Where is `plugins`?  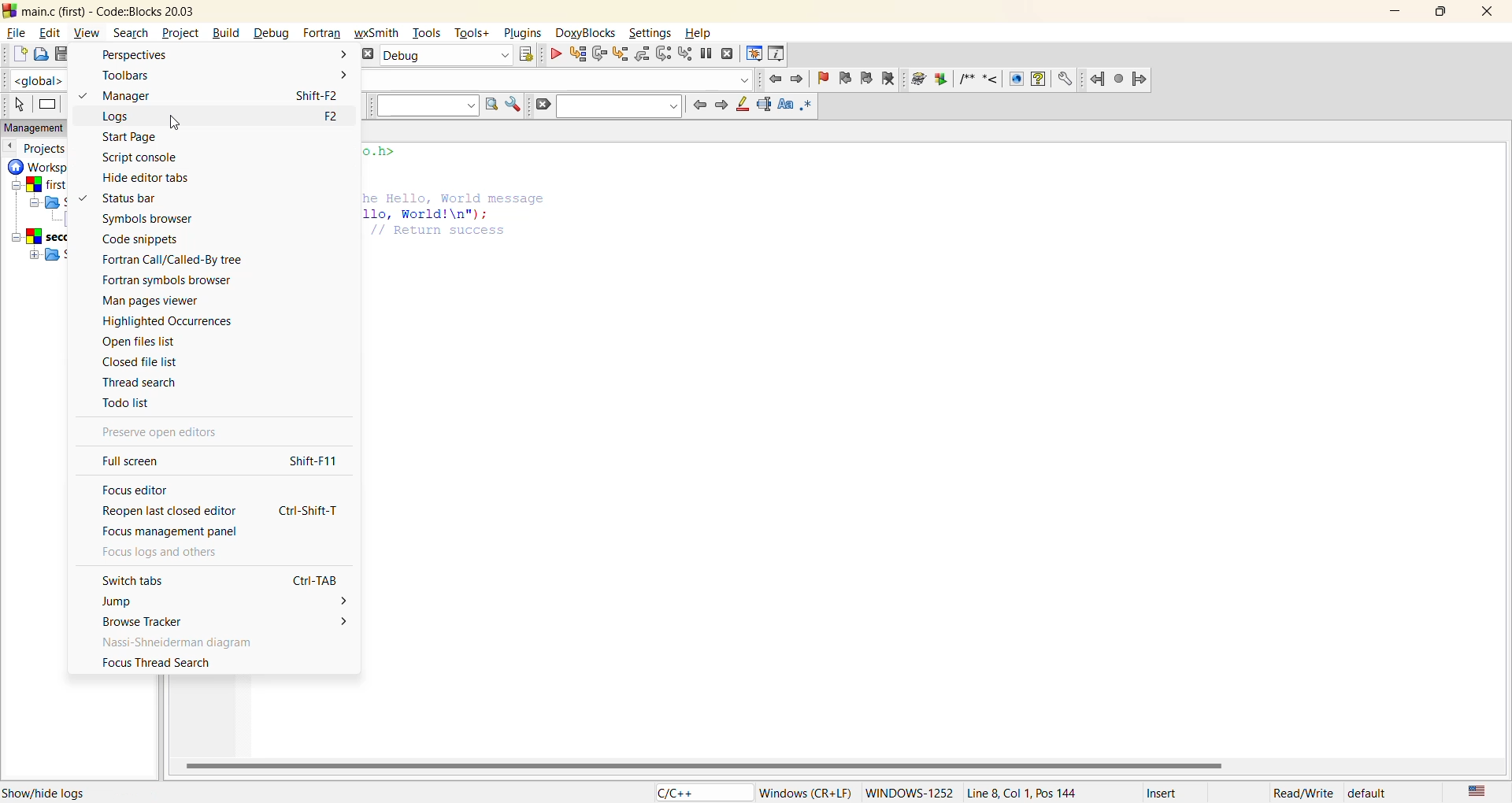 plugins is located at coordinates (523, 34).